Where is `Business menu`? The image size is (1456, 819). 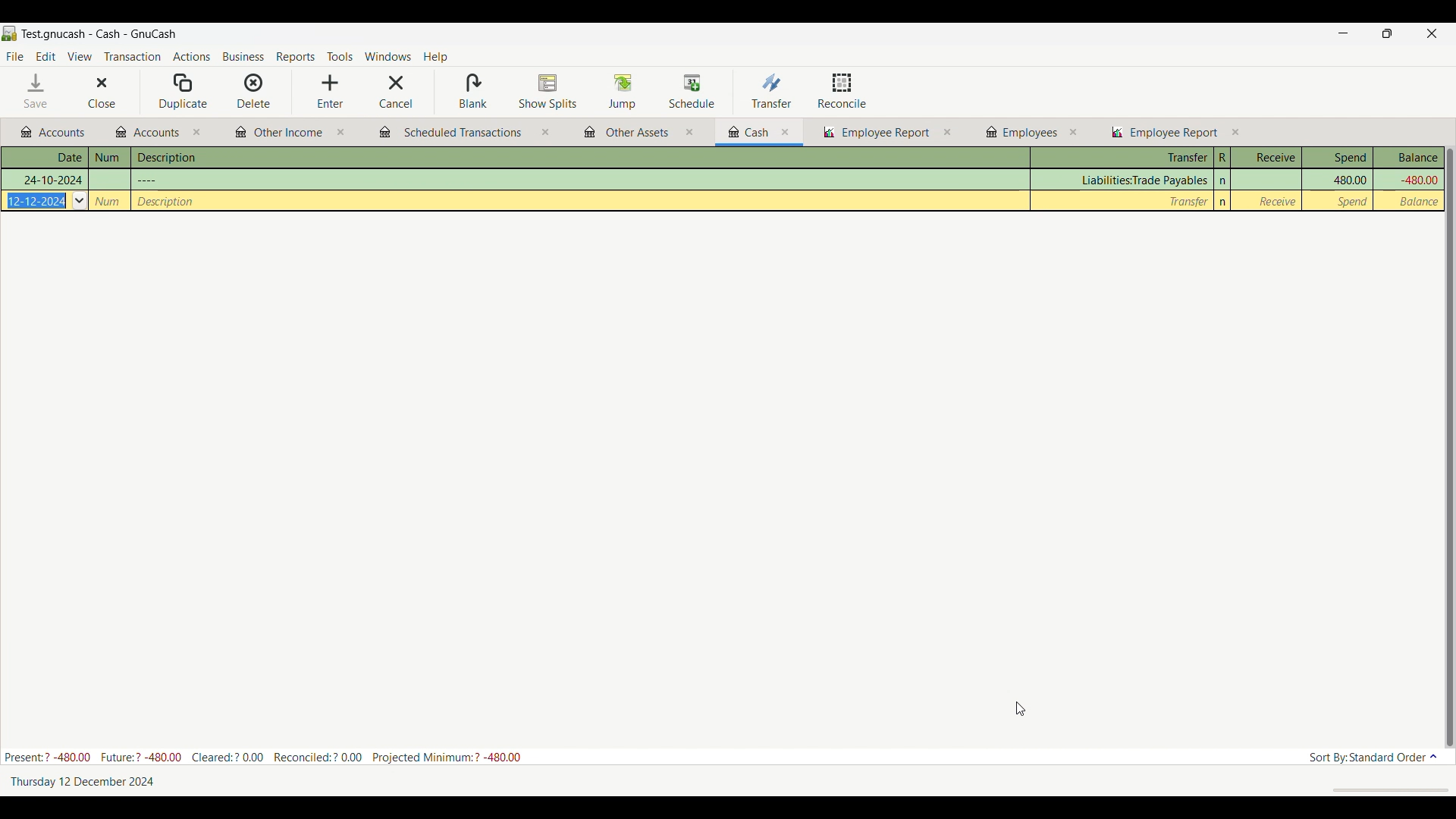 Business menu is located at coordinates (243, 57).